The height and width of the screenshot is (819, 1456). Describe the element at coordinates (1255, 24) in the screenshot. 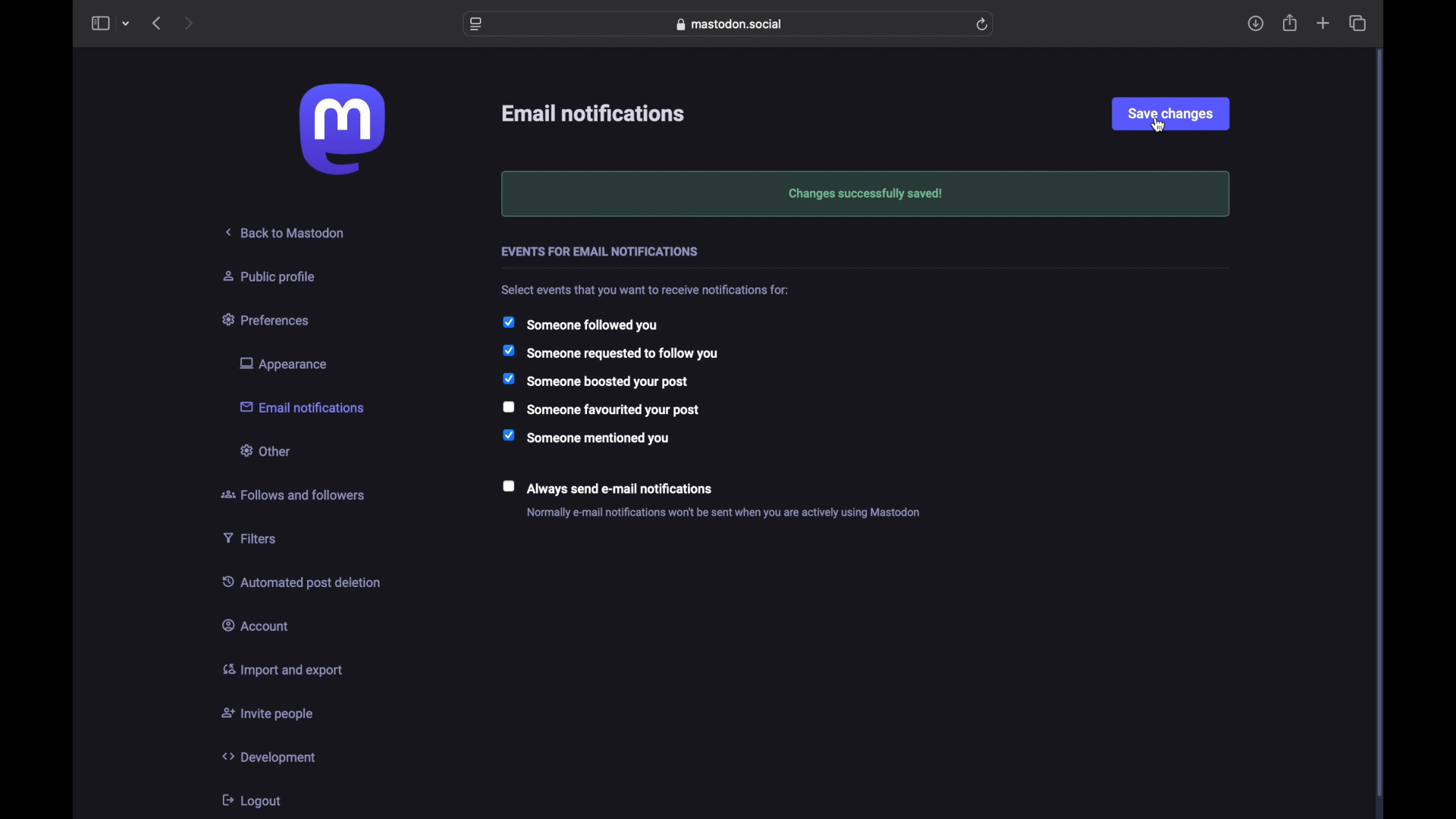

I see `downloads` at that location.